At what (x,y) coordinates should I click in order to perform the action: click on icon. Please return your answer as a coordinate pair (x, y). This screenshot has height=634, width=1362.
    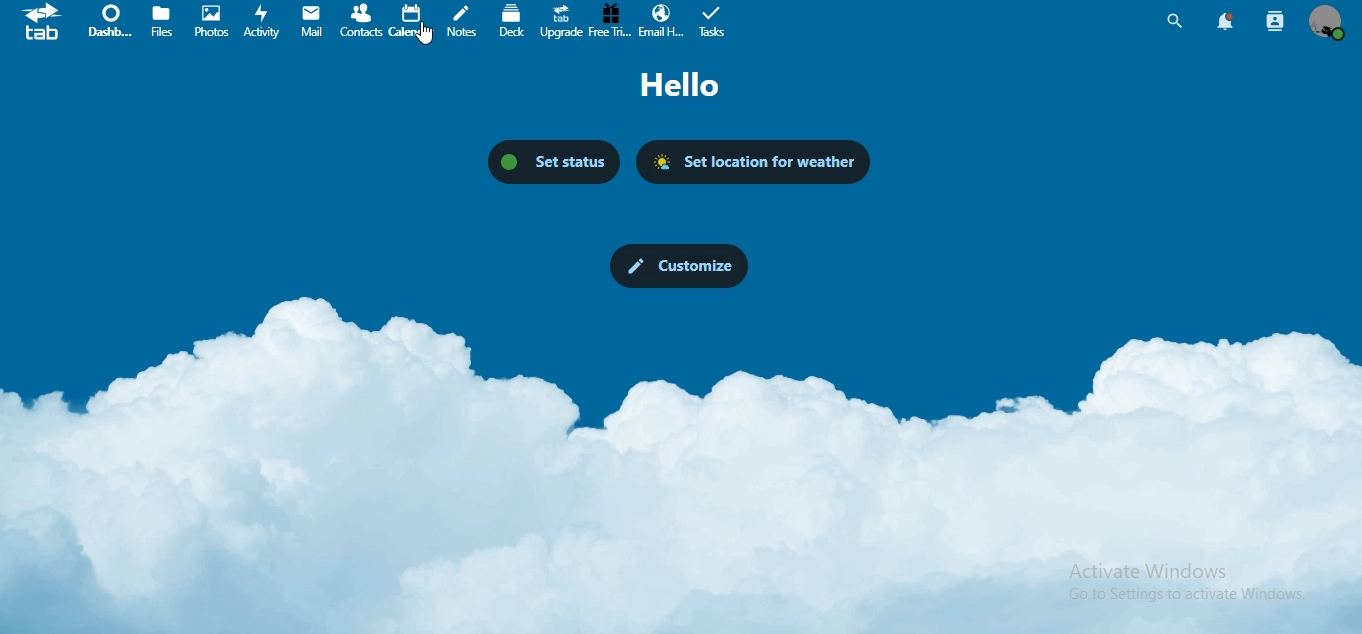
    Looking at the image, I should click on (43, 26).